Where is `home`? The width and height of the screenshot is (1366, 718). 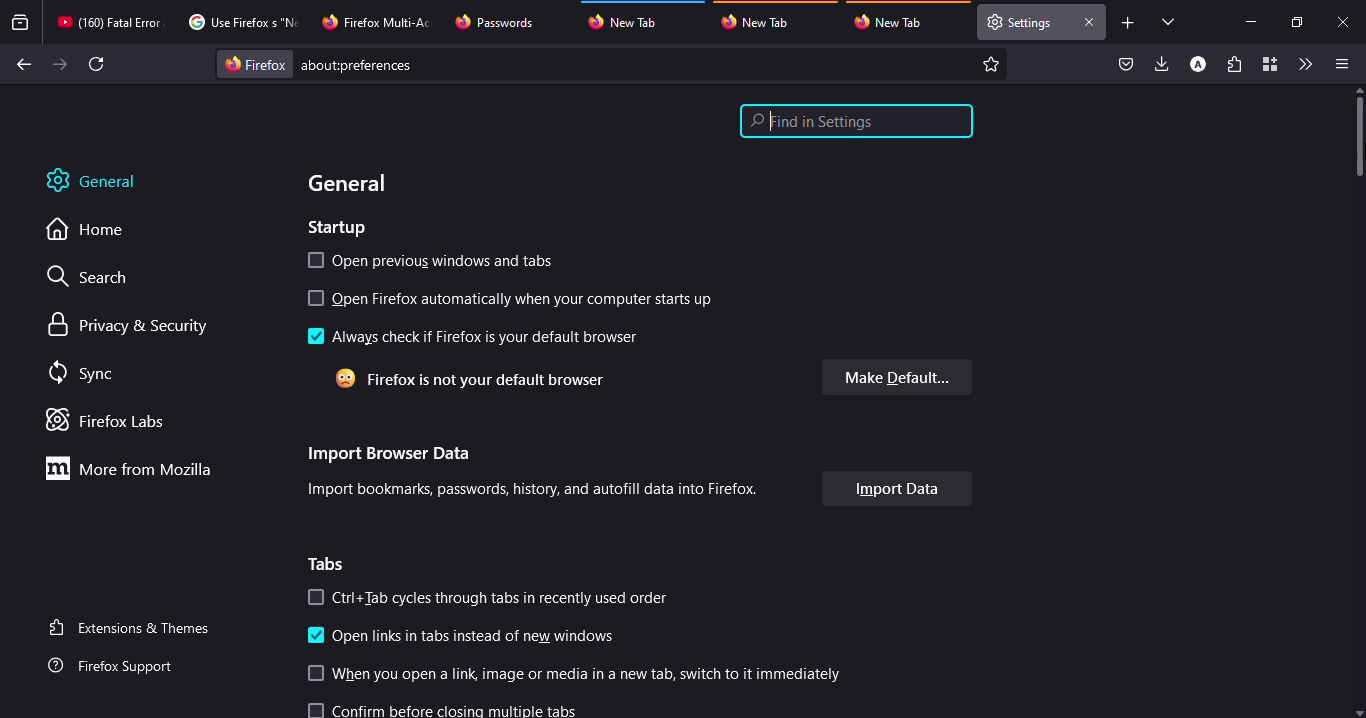
home is located at coordinates (96, 230).